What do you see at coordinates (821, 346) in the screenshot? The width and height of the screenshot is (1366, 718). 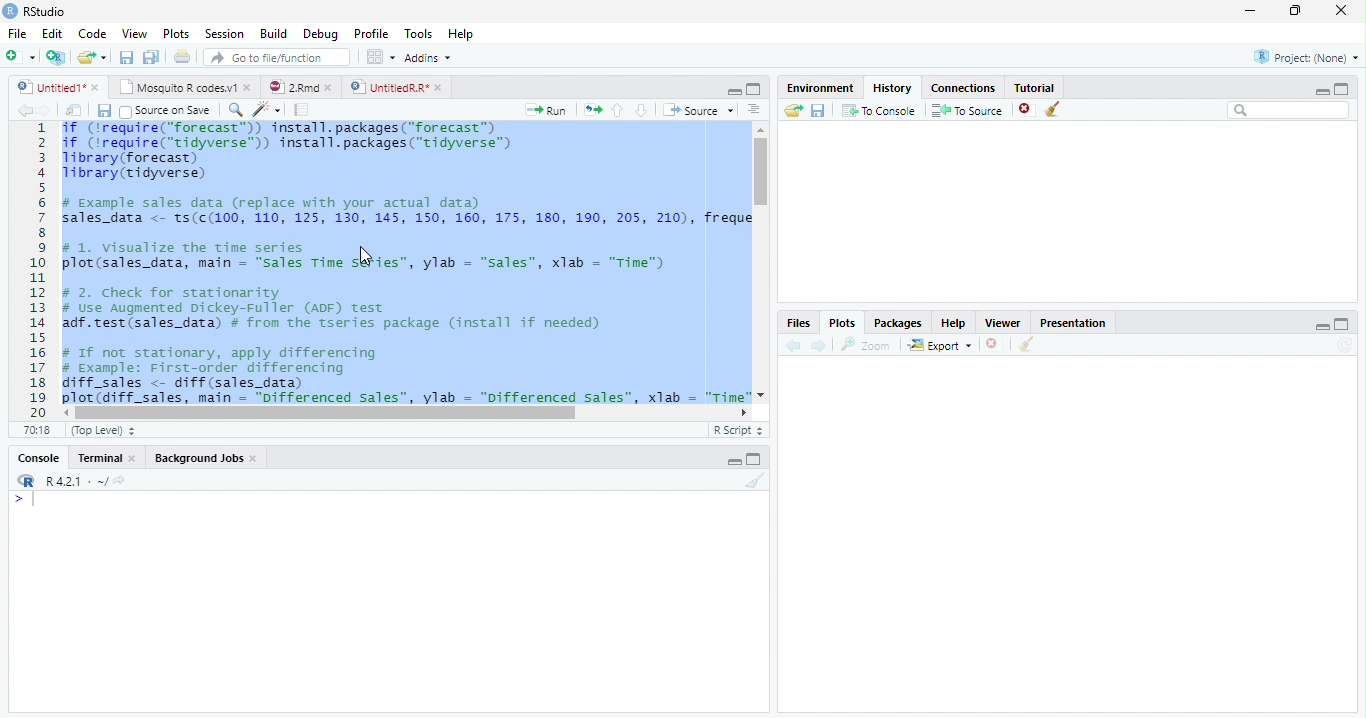 I see `Next` at bounding box center [821, 346].